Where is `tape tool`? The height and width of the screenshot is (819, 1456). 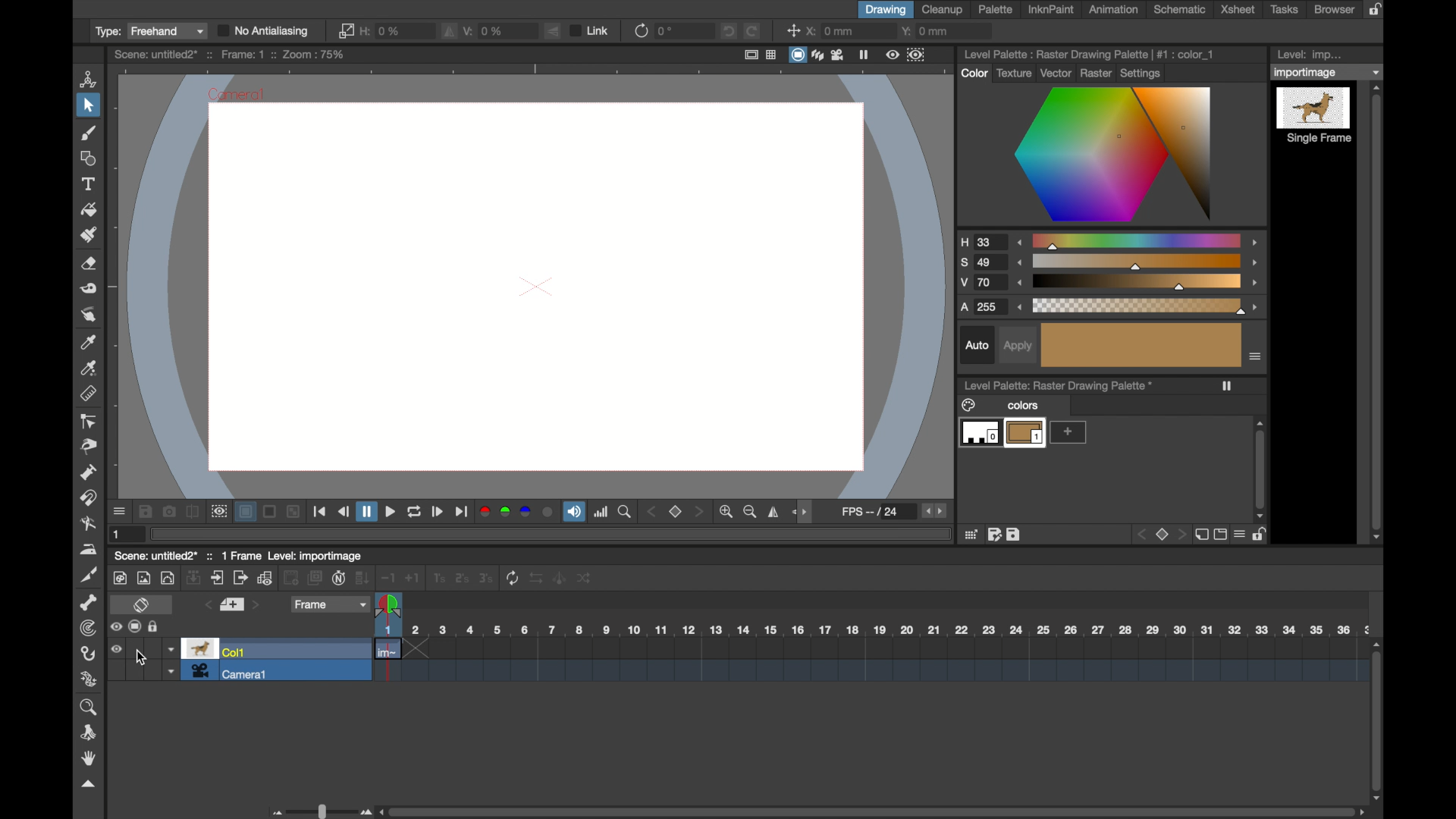
tape tool is located at coordinates (88, 289).